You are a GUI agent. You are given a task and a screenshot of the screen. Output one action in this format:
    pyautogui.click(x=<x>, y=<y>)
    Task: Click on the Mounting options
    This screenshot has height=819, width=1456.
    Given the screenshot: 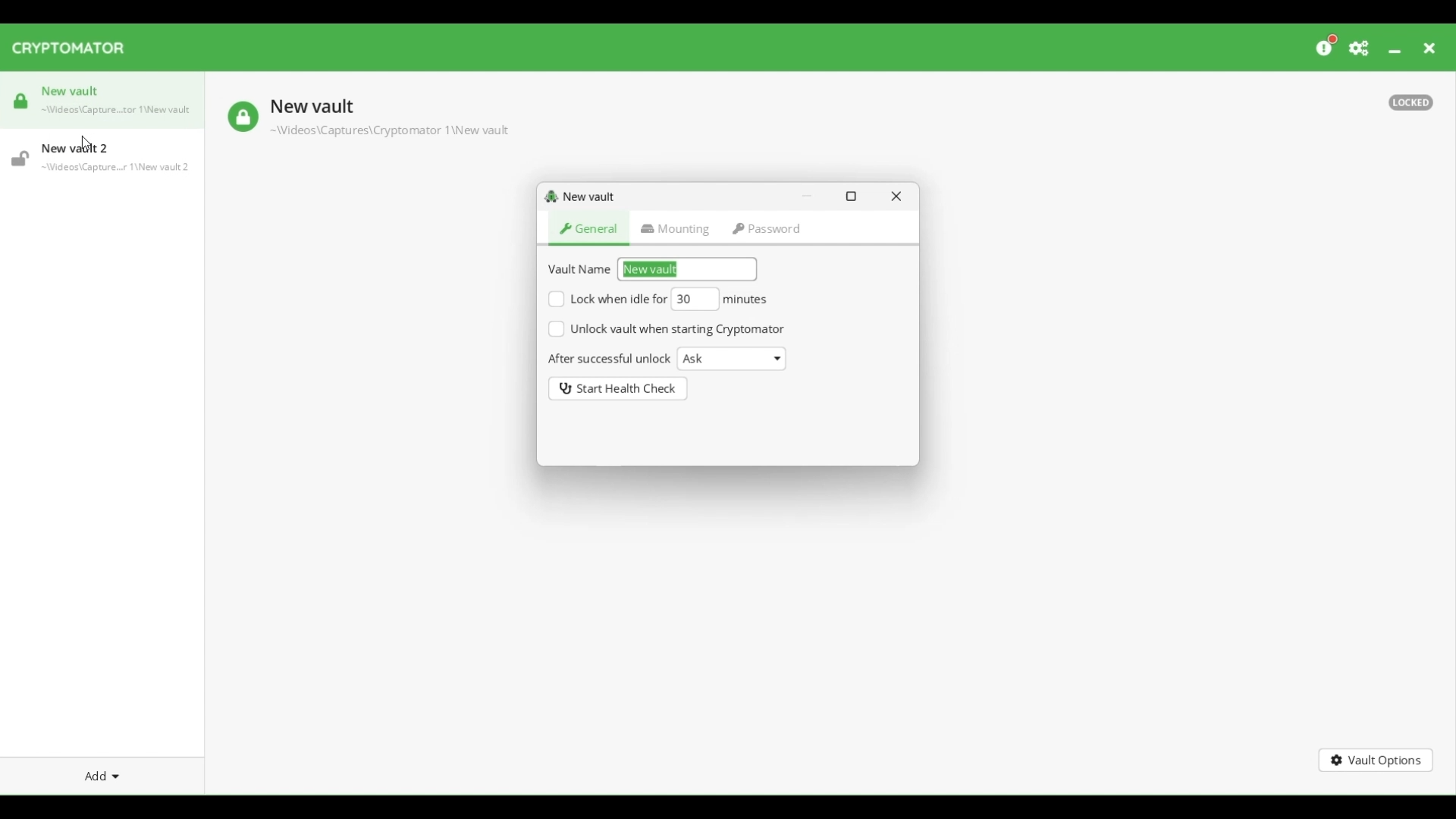 What is the action you would take?
    pyautogui.click(x=676, y=231)
    